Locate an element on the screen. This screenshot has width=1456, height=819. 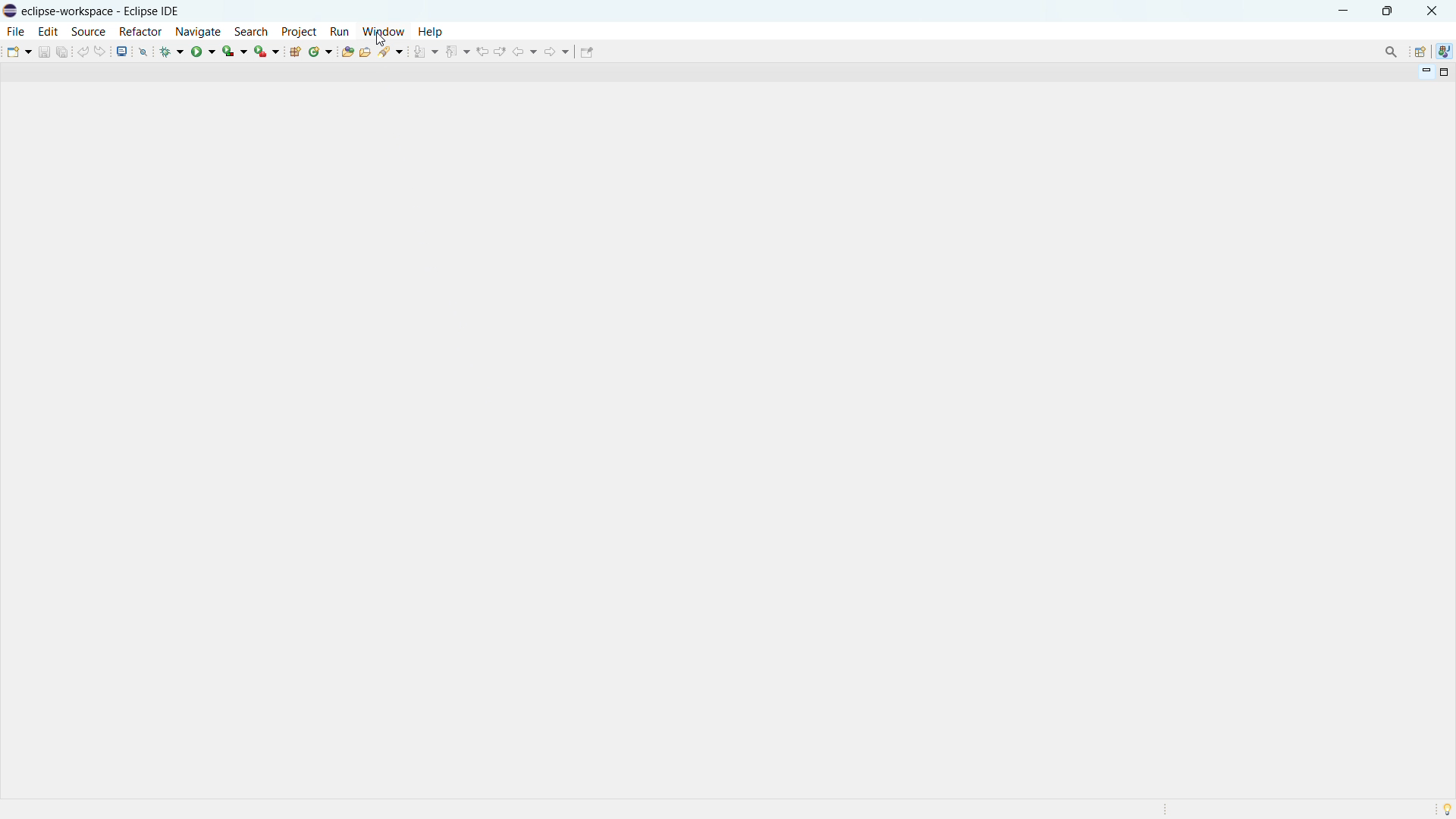
close is located at coordinates (1431, 11).